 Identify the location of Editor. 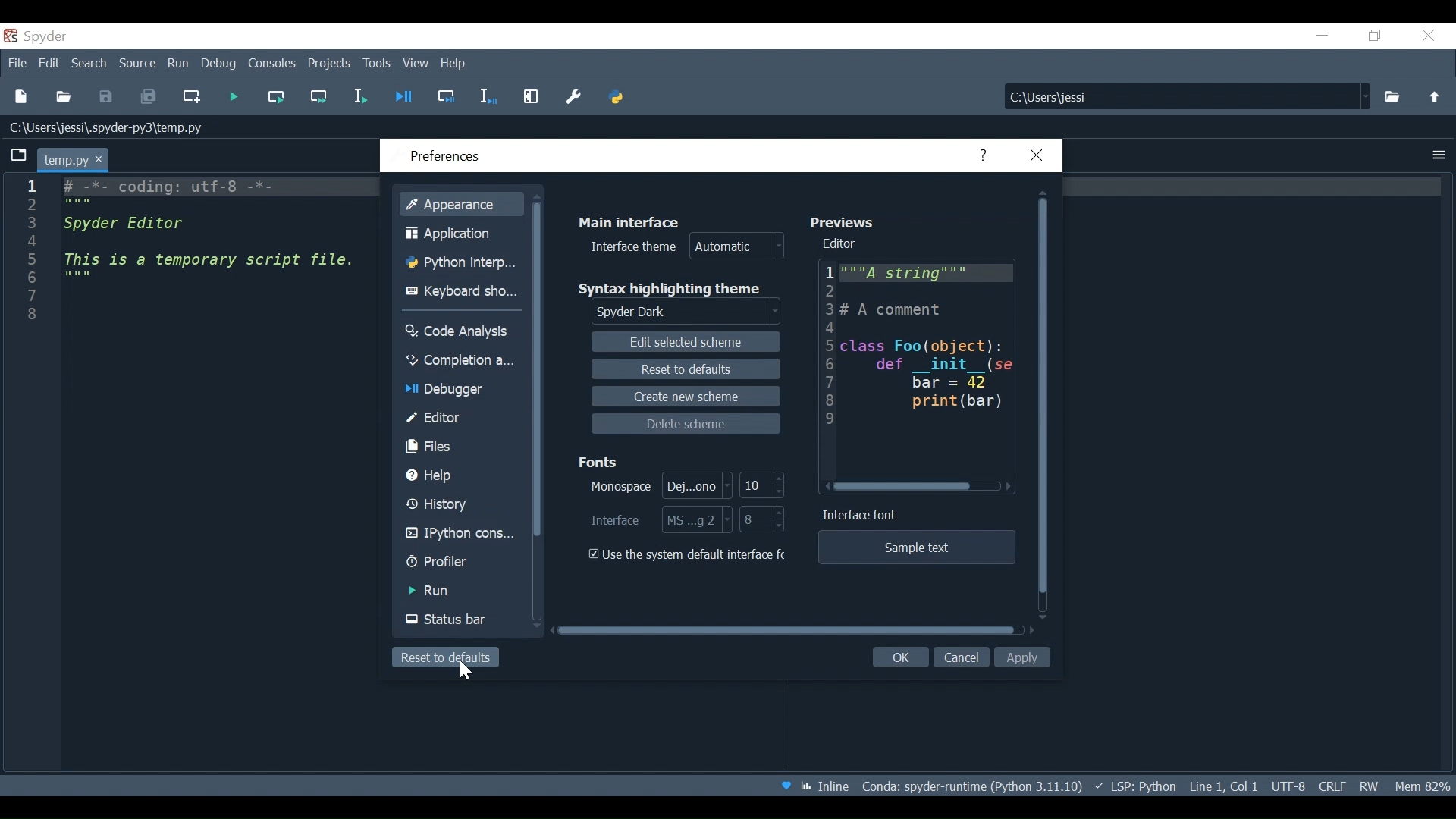
(461, 419).